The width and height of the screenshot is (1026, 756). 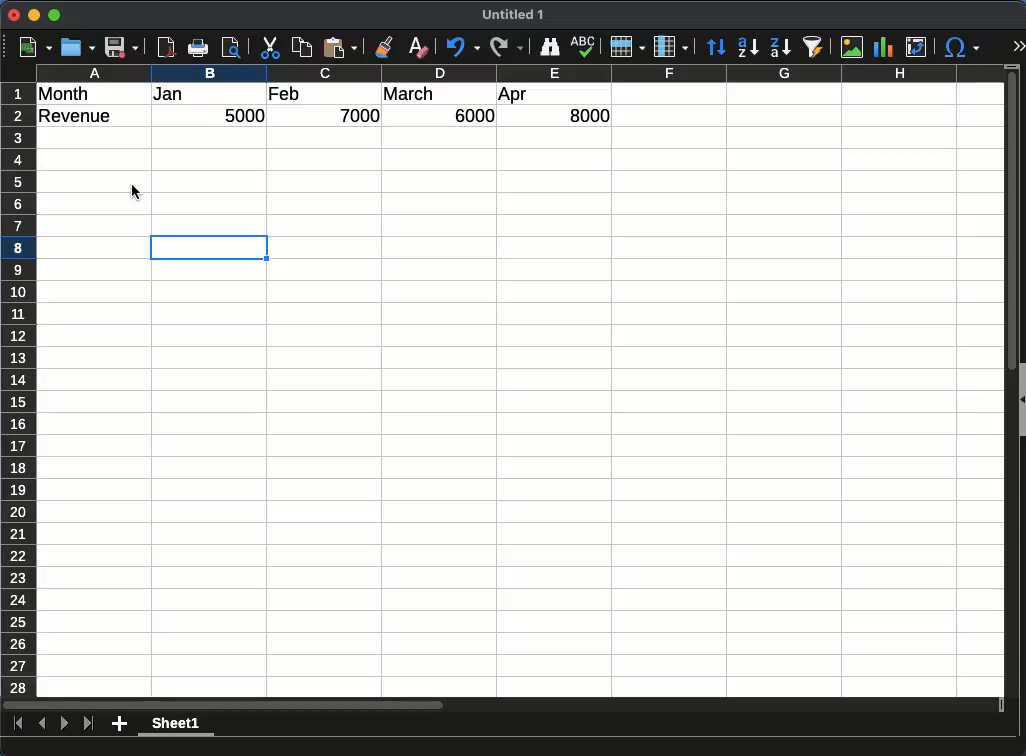 I want to click on jan, so click(x=169, y=94).